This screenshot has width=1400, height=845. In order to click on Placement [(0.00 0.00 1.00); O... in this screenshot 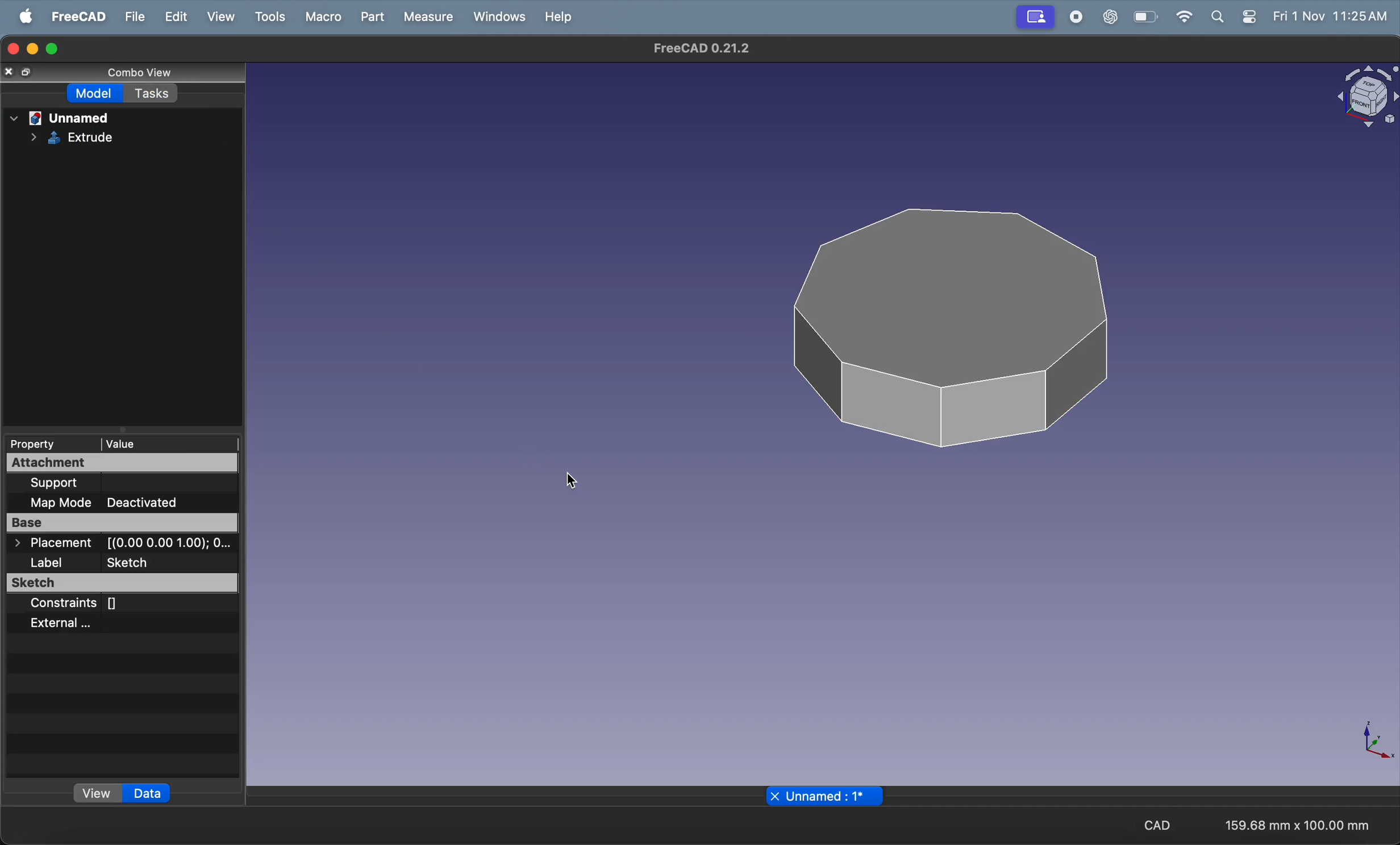, I will do `click(122, 543)`.